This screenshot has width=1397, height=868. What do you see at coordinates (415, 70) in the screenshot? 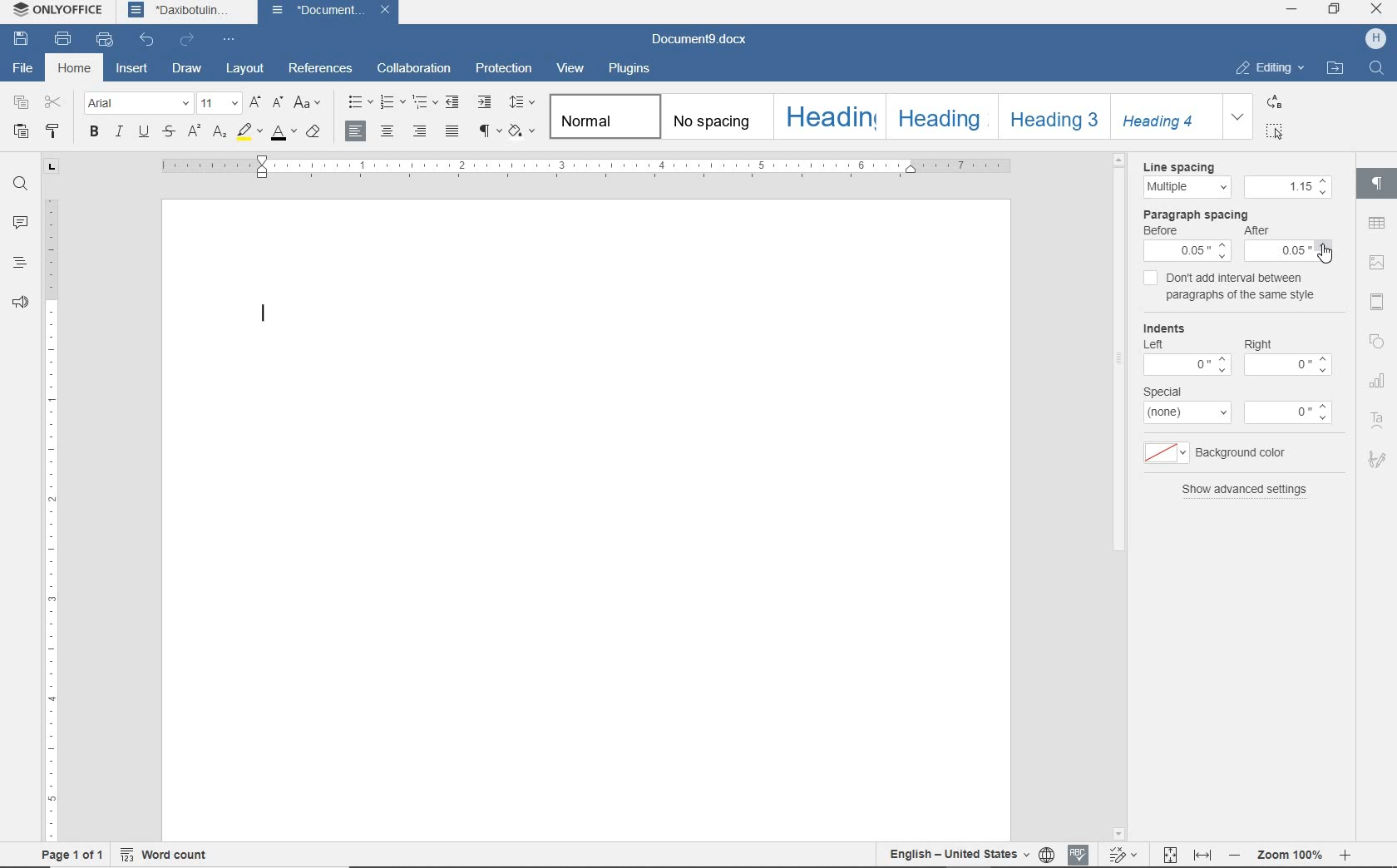
I see `collaboration` at bounding box center [415, 70].